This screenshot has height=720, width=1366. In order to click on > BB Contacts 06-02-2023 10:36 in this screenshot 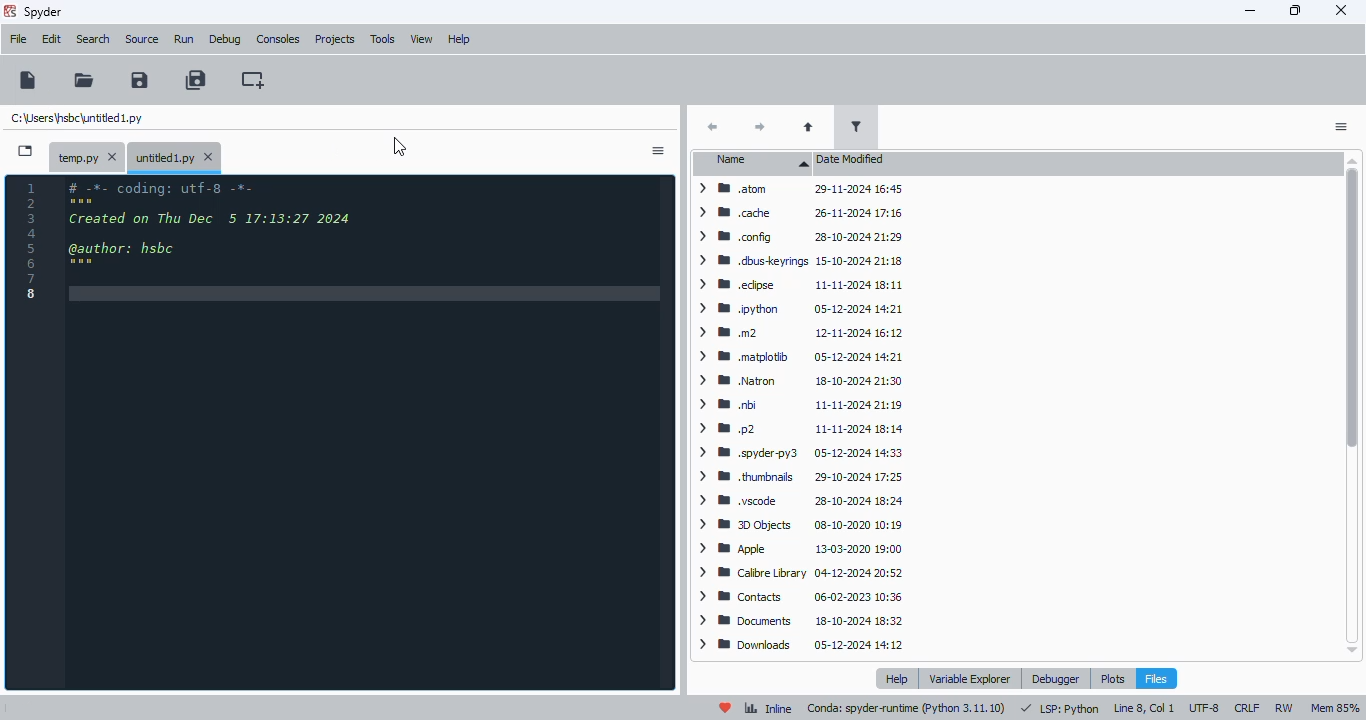, I will do `click(795, 597)`.